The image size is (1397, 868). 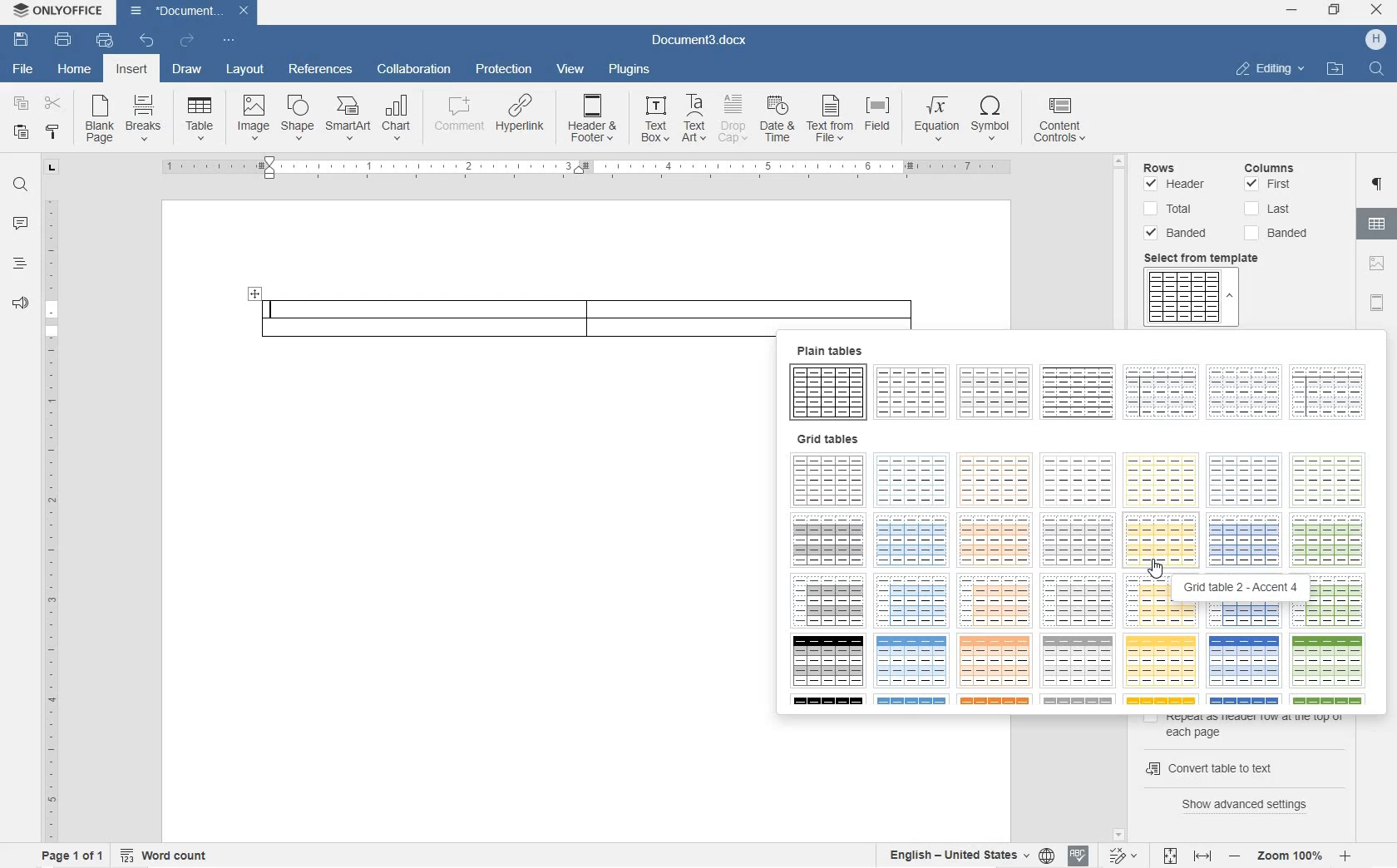 I want to click on open file location, so click(x=1335, y=70).